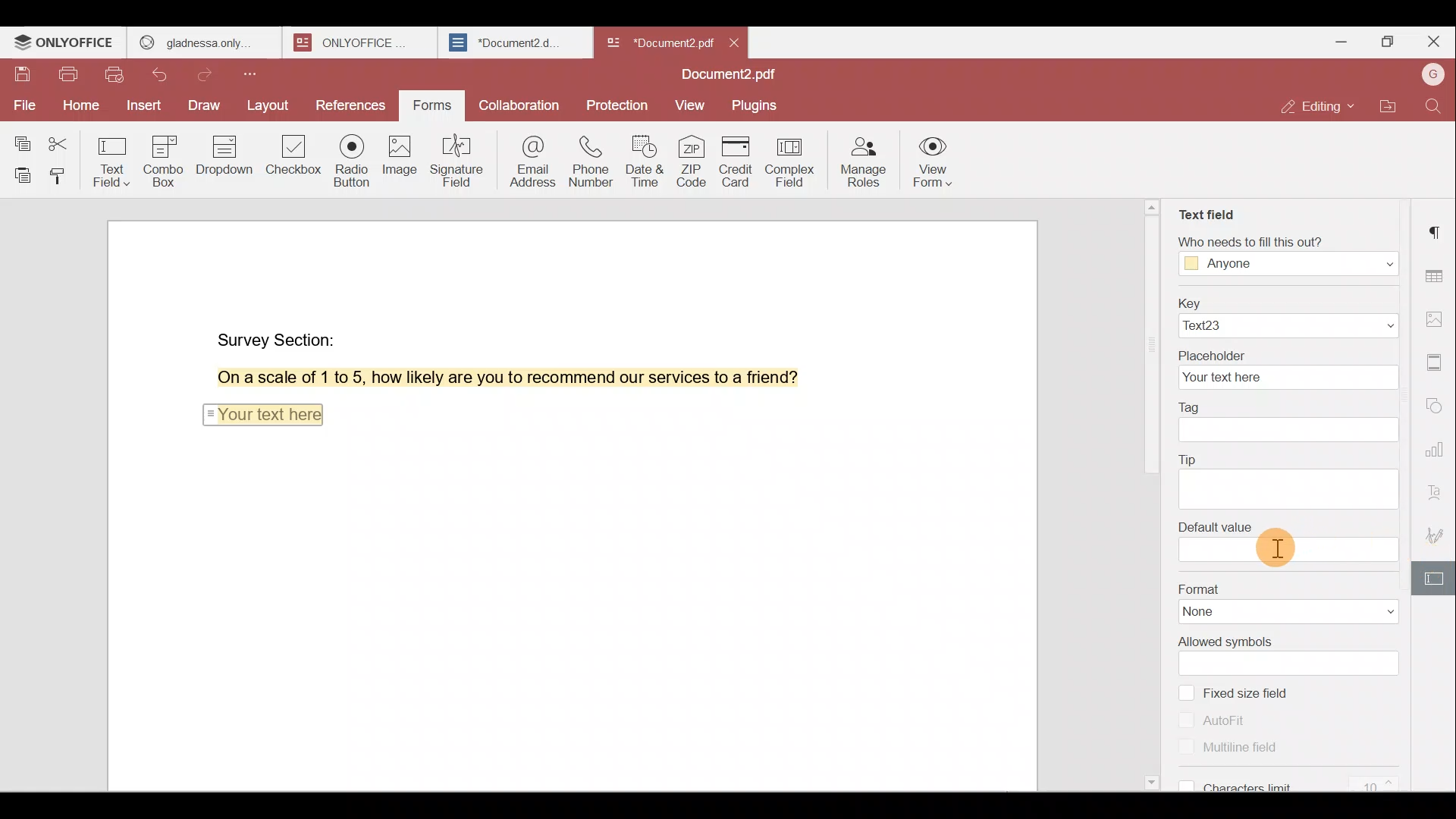 This screenshot has width=1456, height=819. Describe the element at coordinates (1283, 600) in the screenshot. I see `Format` at that location.